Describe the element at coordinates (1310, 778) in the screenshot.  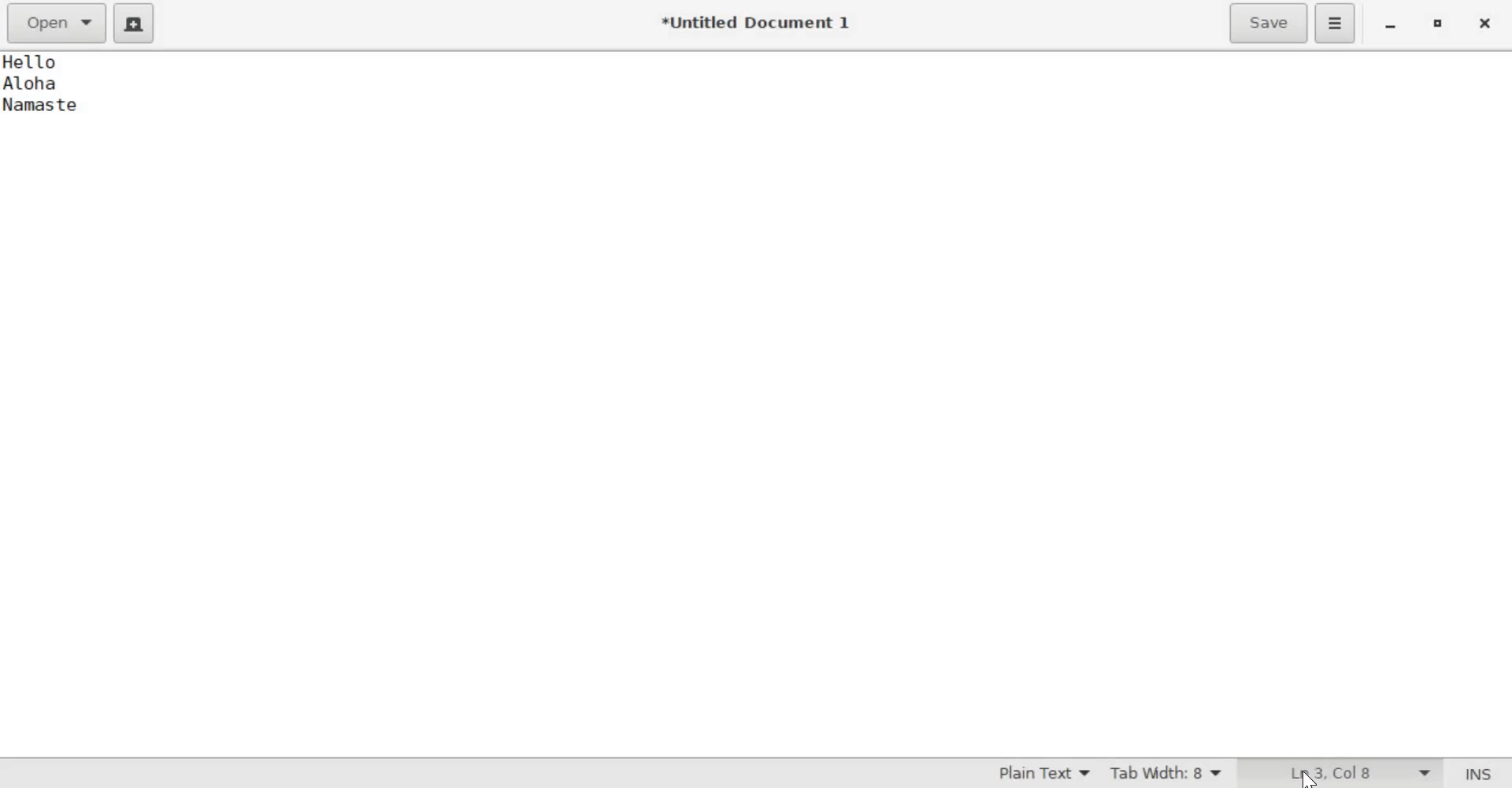
I see `Cursor` at that location.